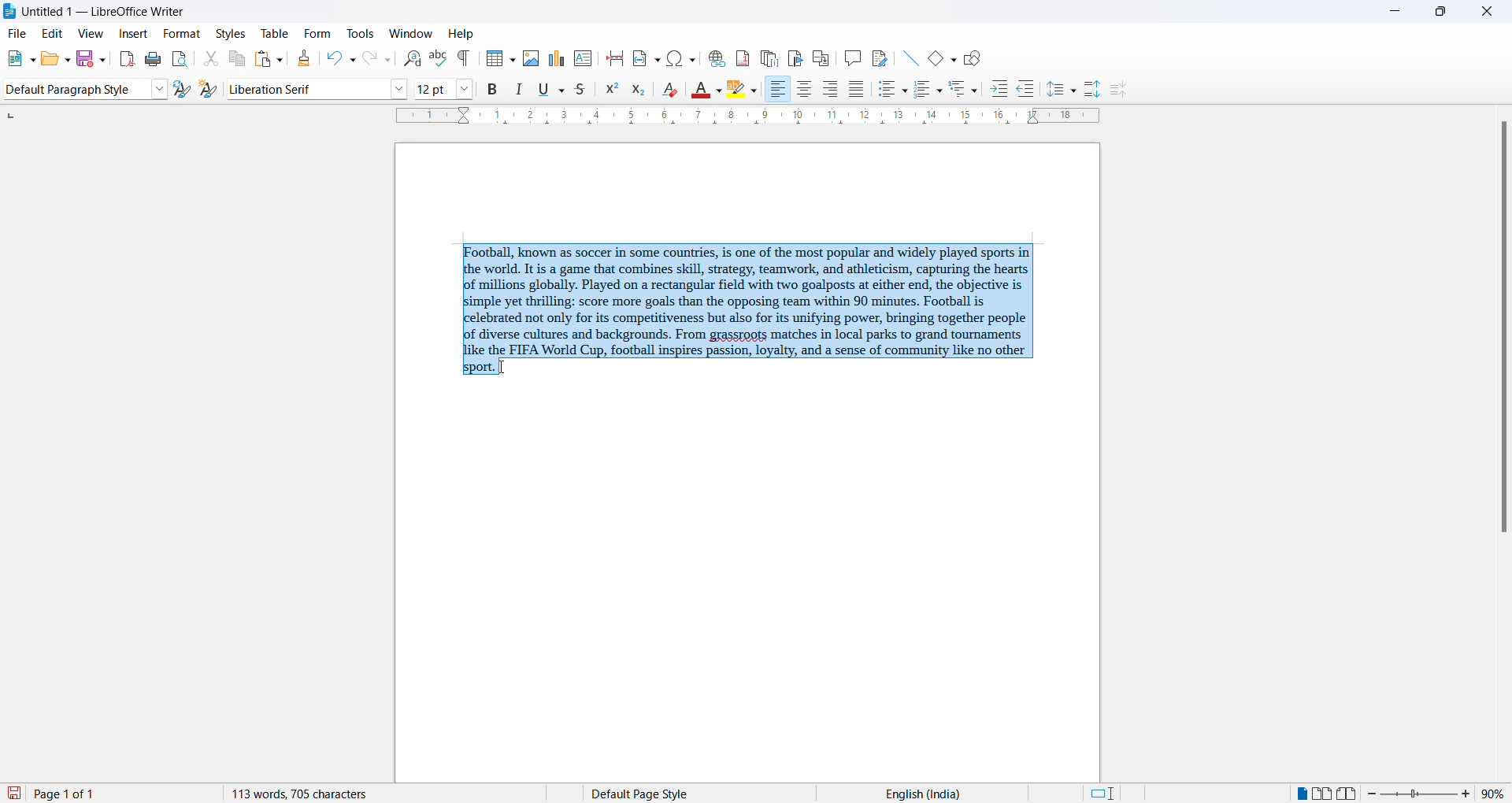 The width and height of the screenshot is (1512, 803). I want to click on minimize, so click(1388, 12).